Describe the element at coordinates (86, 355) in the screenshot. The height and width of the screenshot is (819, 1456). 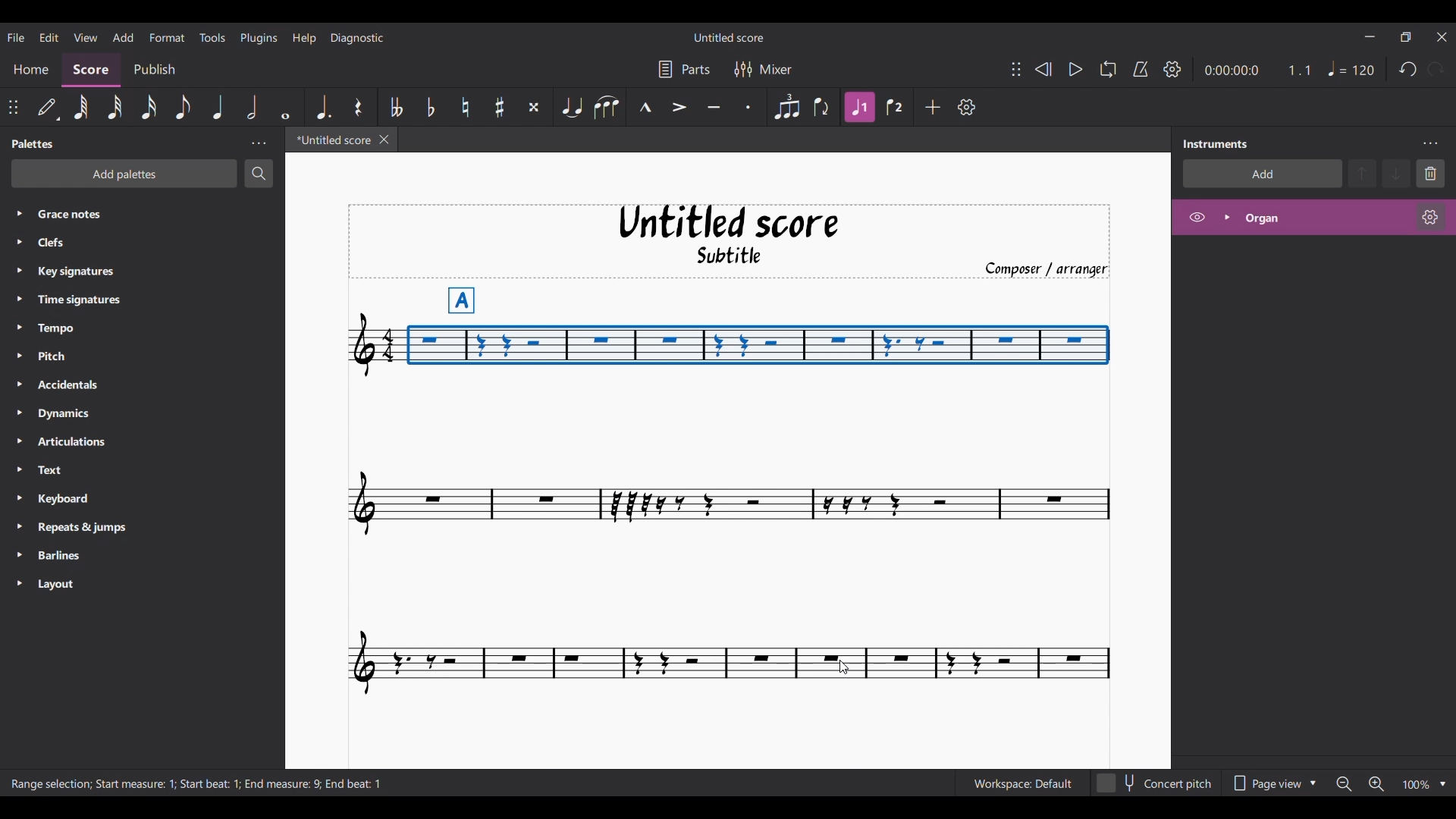
I see `Pitch` at that location.